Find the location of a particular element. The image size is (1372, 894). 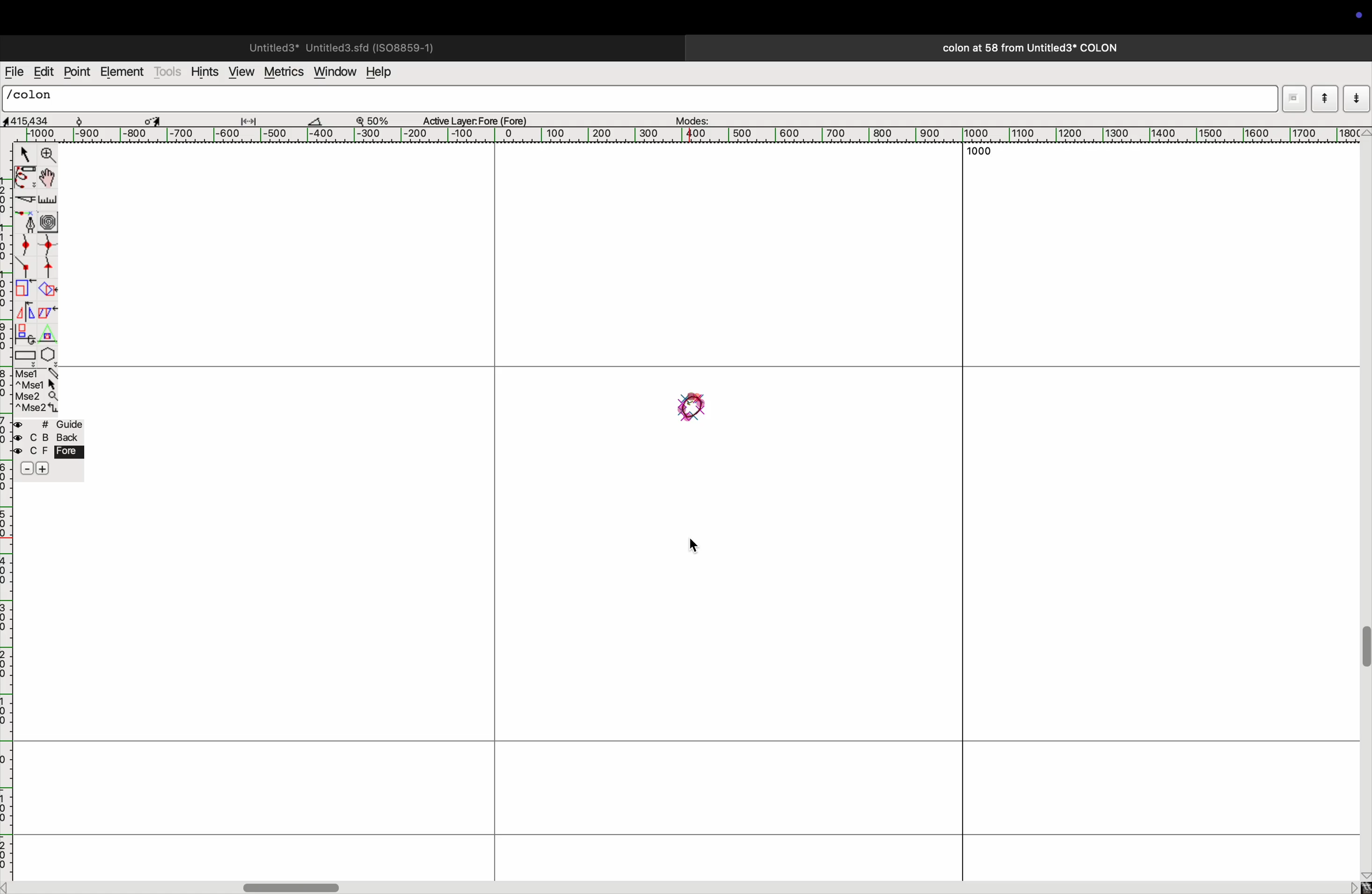

rectangle is located at coordinates (25, 354).